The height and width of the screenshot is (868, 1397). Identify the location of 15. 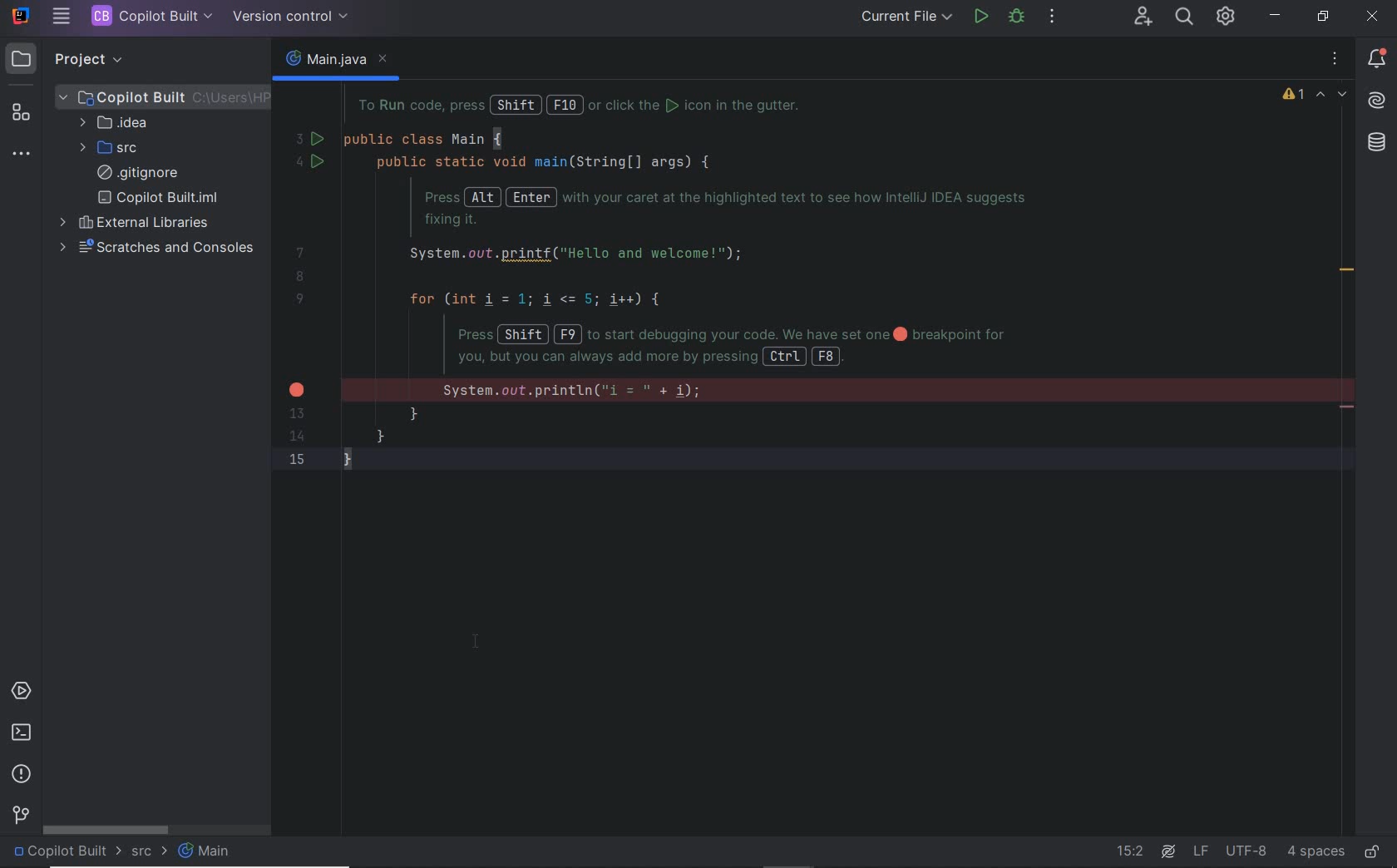
(298, 459).